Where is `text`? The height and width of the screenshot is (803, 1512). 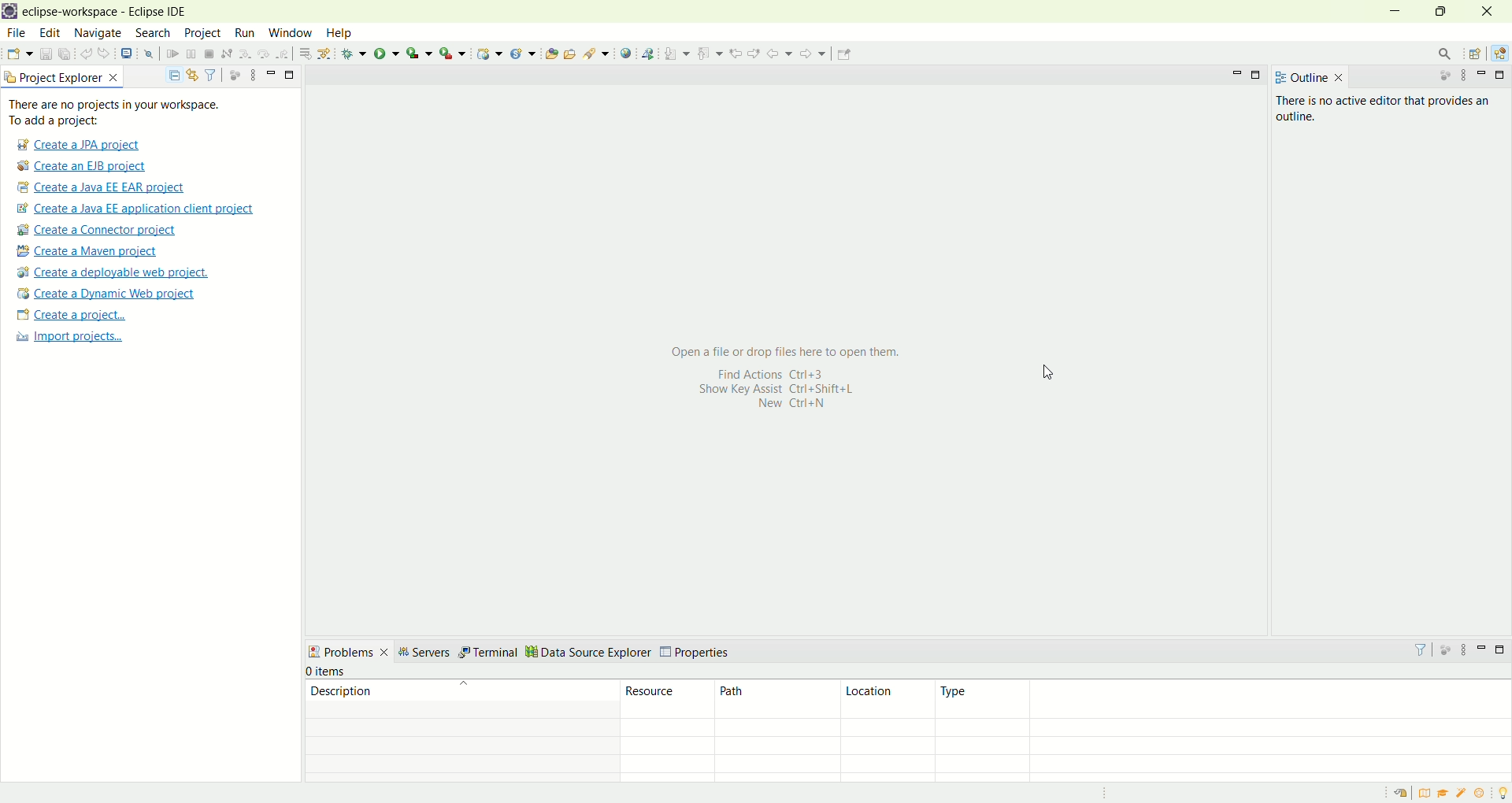
text is located at coordinates (1384, 108).